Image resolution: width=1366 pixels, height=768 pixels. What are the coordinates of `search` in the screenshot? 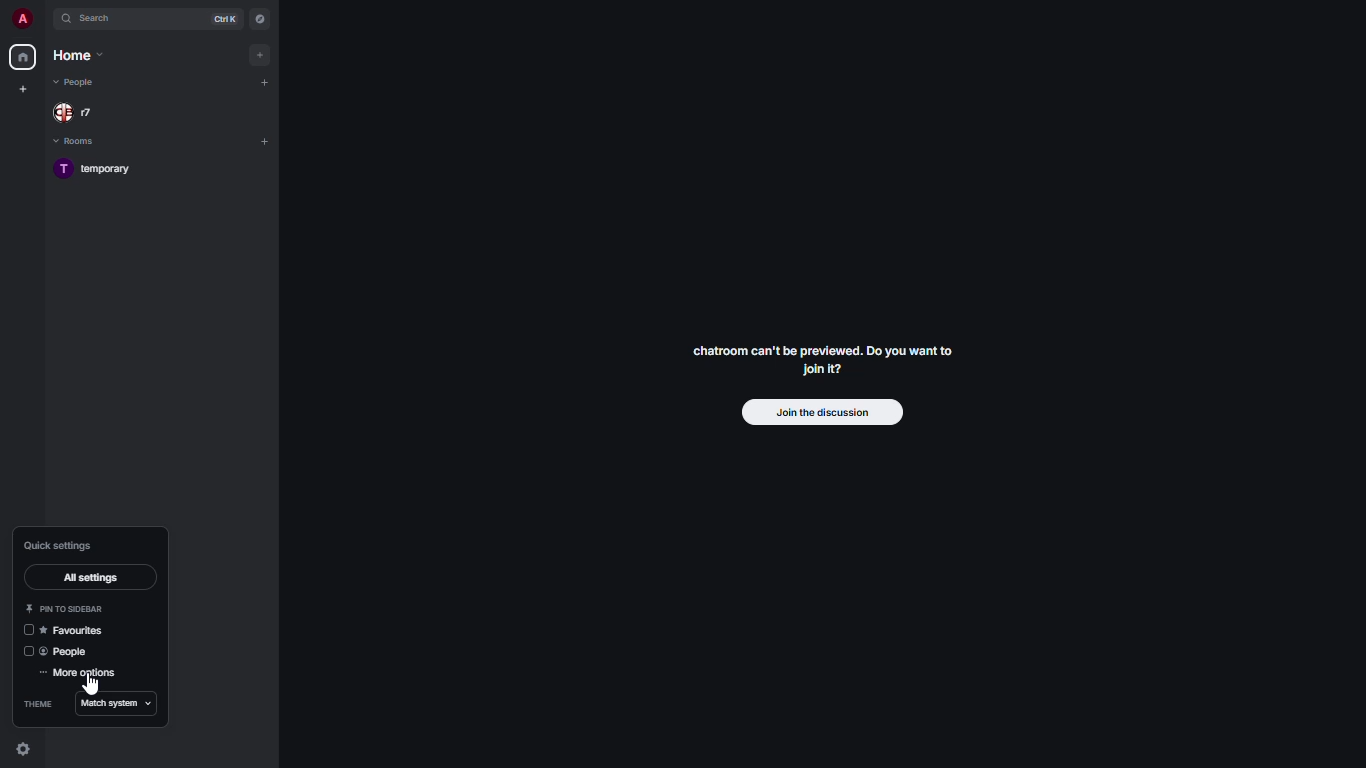 It's located at (106, 19).